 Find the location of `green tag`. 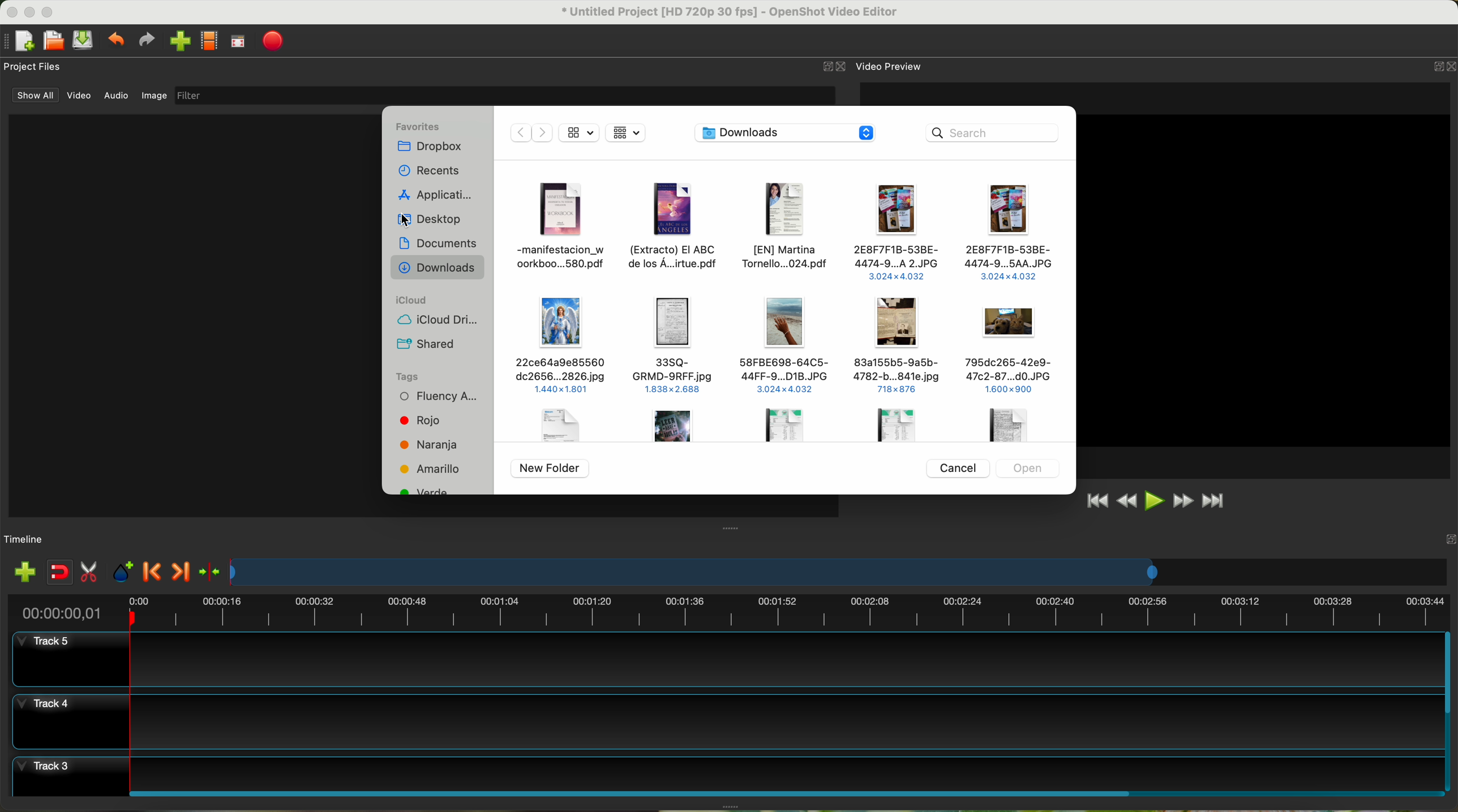

green tag is located at coordinates (427, 492).